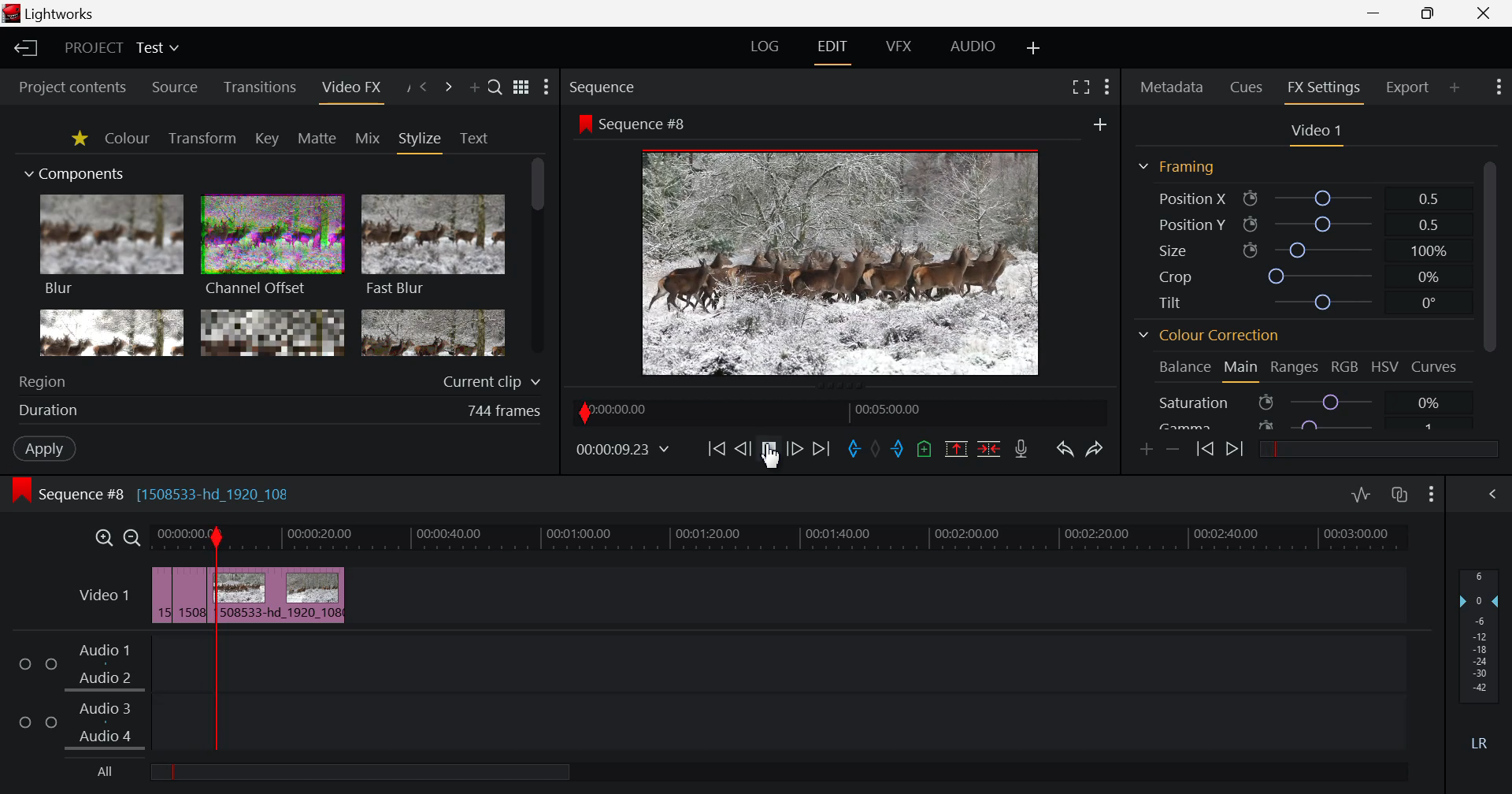 The height and width of the screenshot is (794, 1512). Describe the element at coordinates (52, 13) in the screenshot. I see `Lightworks` at that location.